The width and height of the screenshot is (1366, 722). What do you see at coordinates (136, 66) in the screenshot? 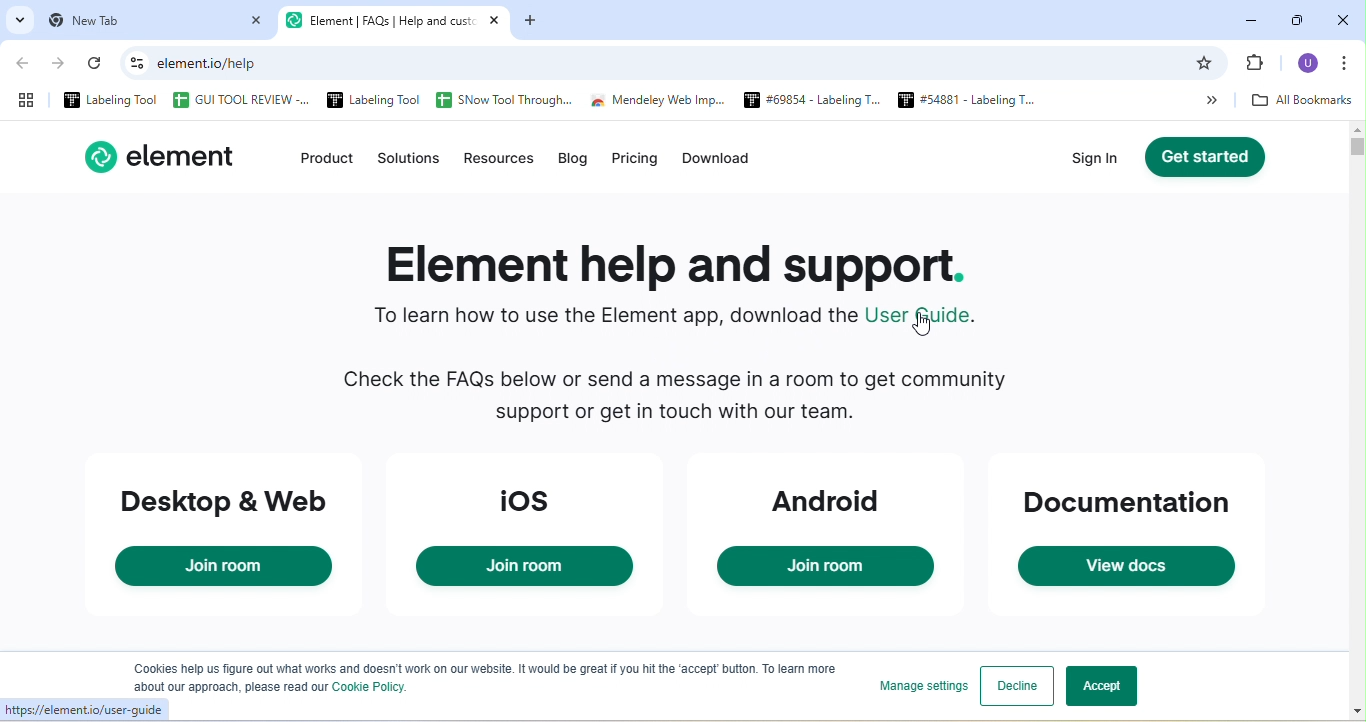
I see `See site information` at bounding box center [136, 66].